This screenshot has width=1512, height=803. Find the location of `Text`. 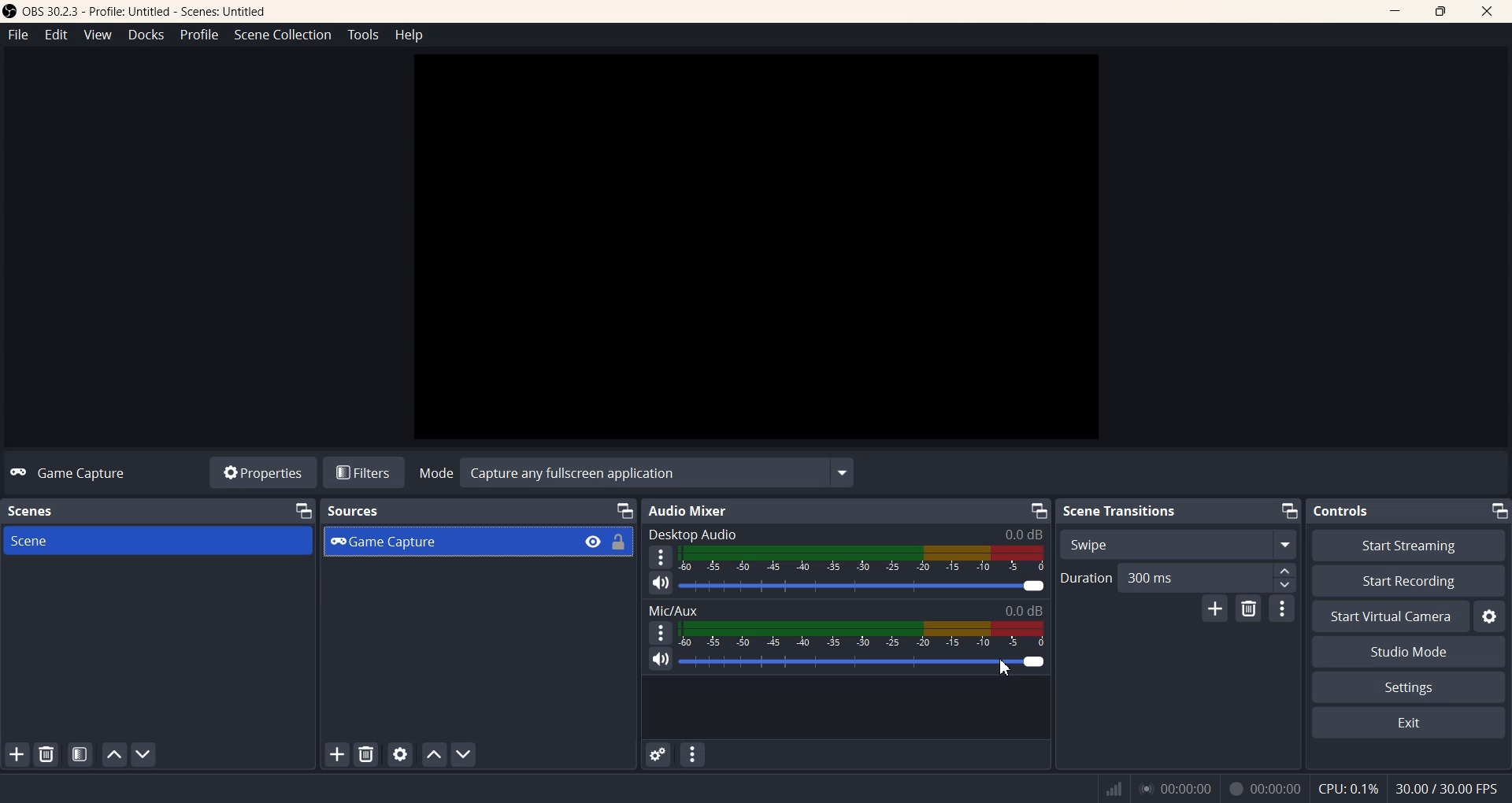

Text is located at coordinates (35, 512).